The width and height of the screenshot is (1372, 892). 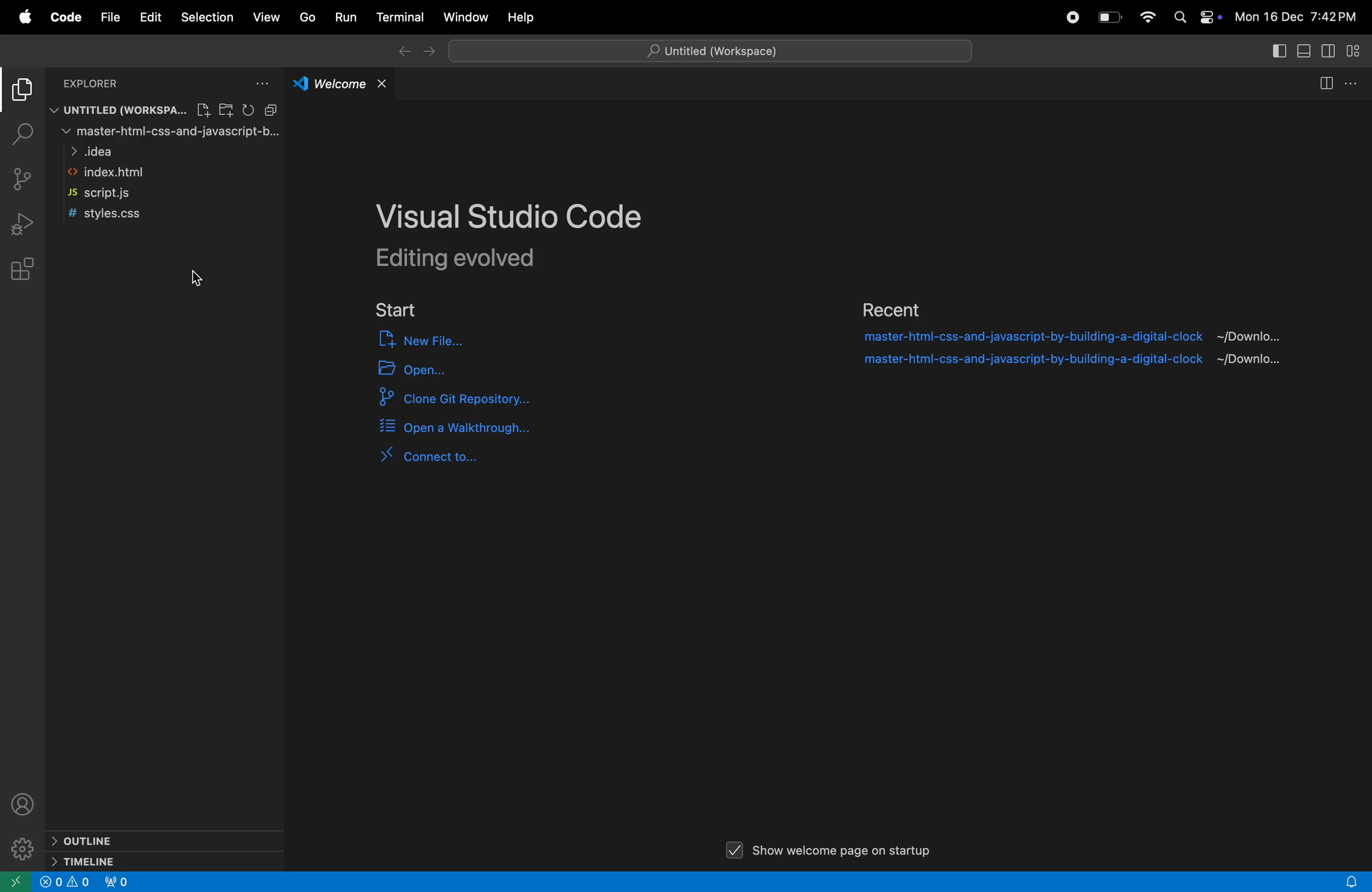 What do you see at coordinates (1029, 361) in the screenshot?
I see `master-html-css-and-javascript-by-building-a-digital-clock` at bounding box center [1029, 361].